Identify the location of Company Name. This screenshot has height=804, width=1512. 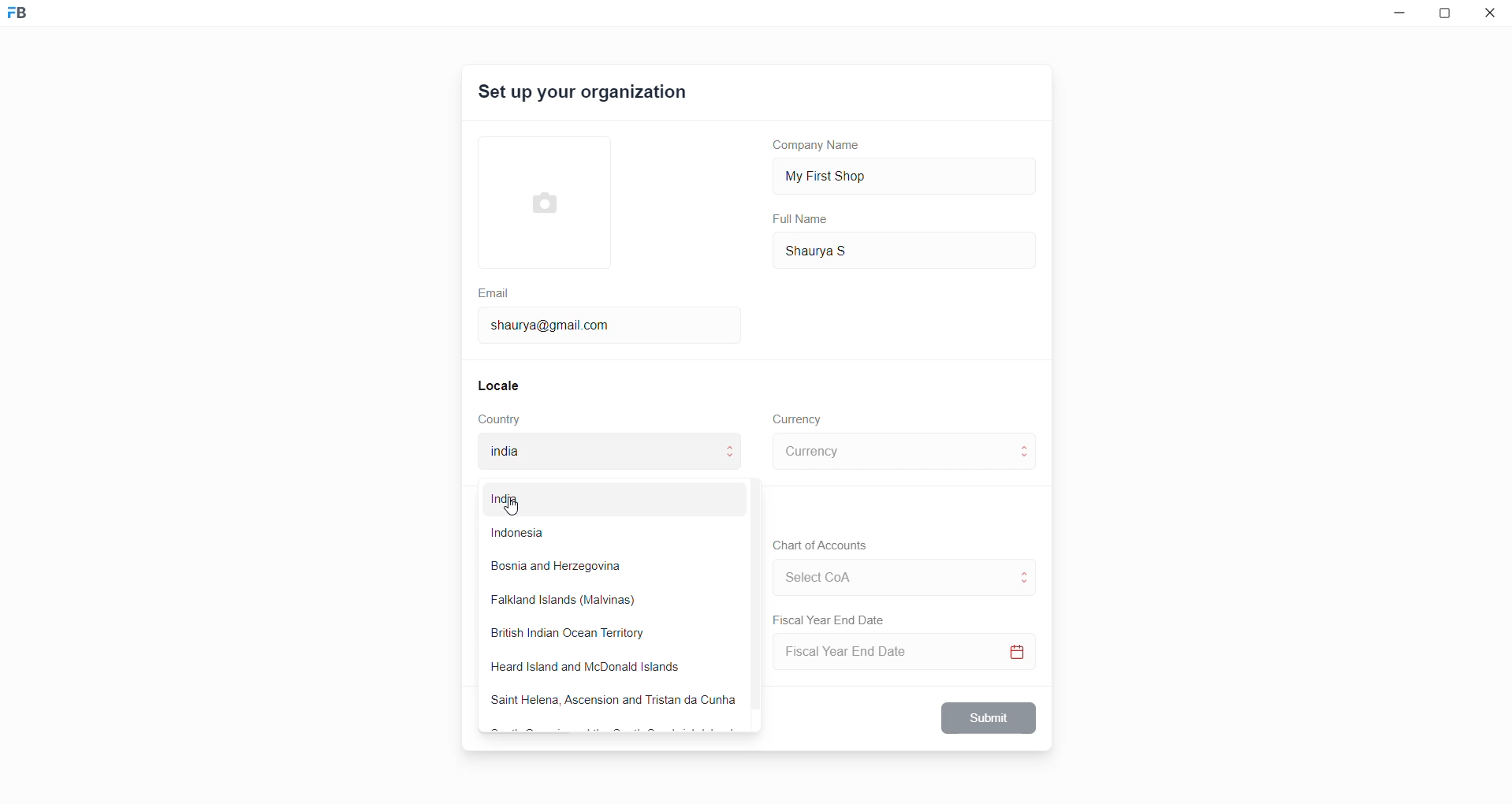
(822, 147).